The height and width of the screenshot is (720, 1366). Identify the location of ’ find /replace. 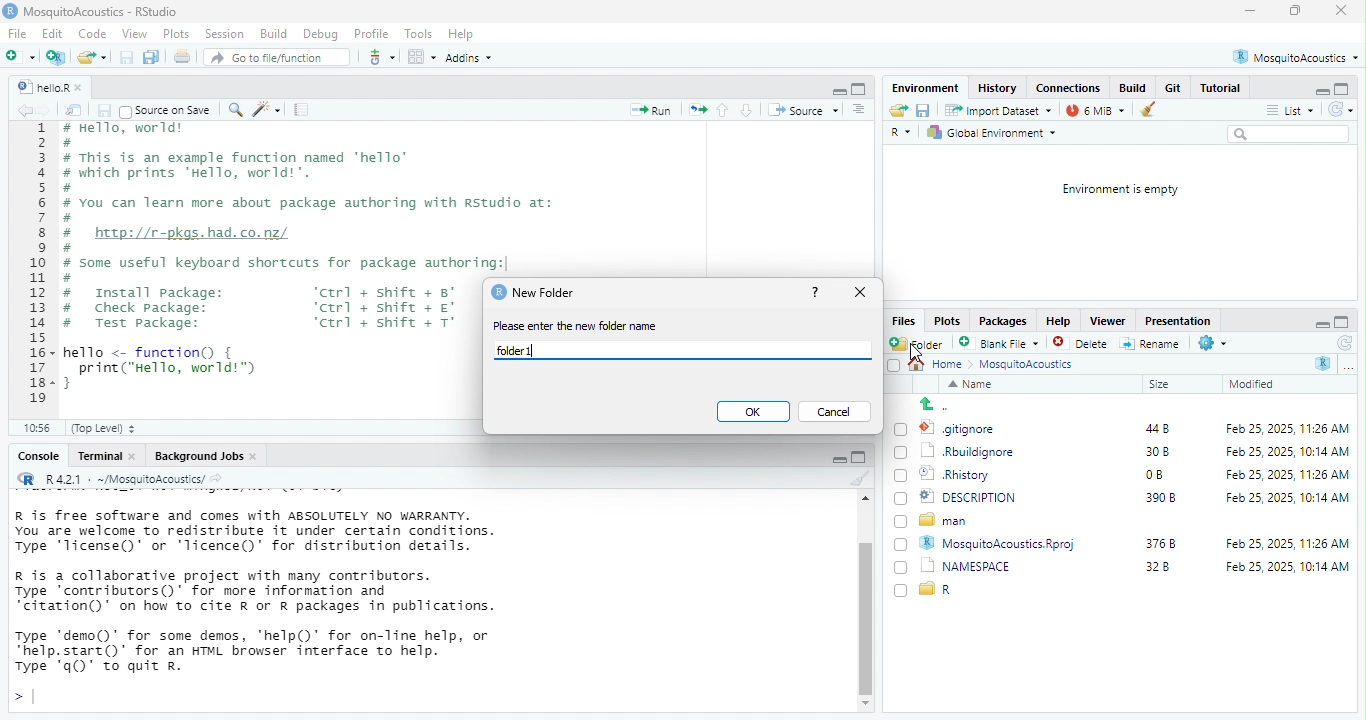
(237, 111).